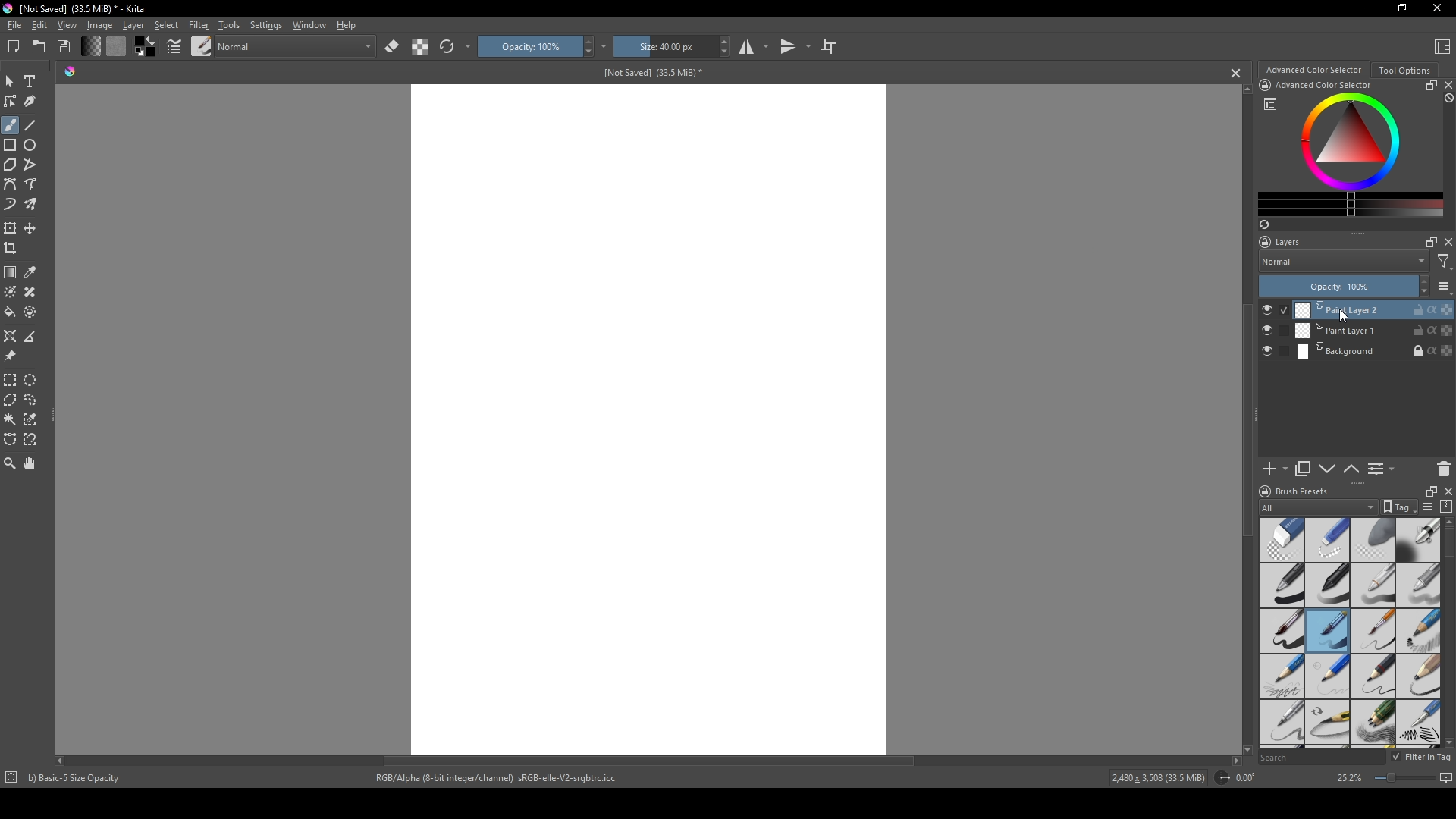 The height and width of the screenshot is (819, 1456). I want to click on Layers, so click(1284, 242).